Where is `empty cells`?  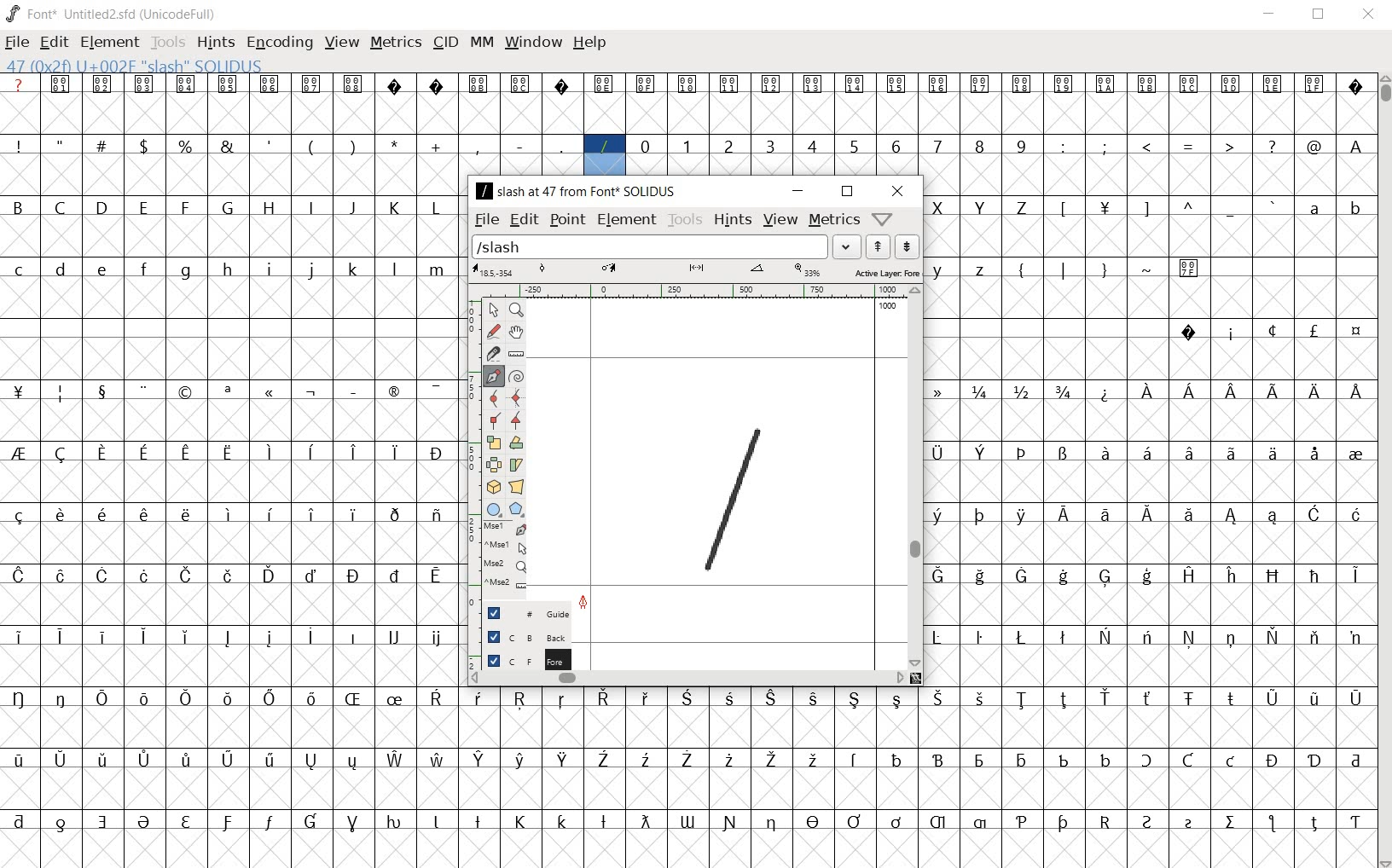
empty cells is located at coordinates (233, 667).